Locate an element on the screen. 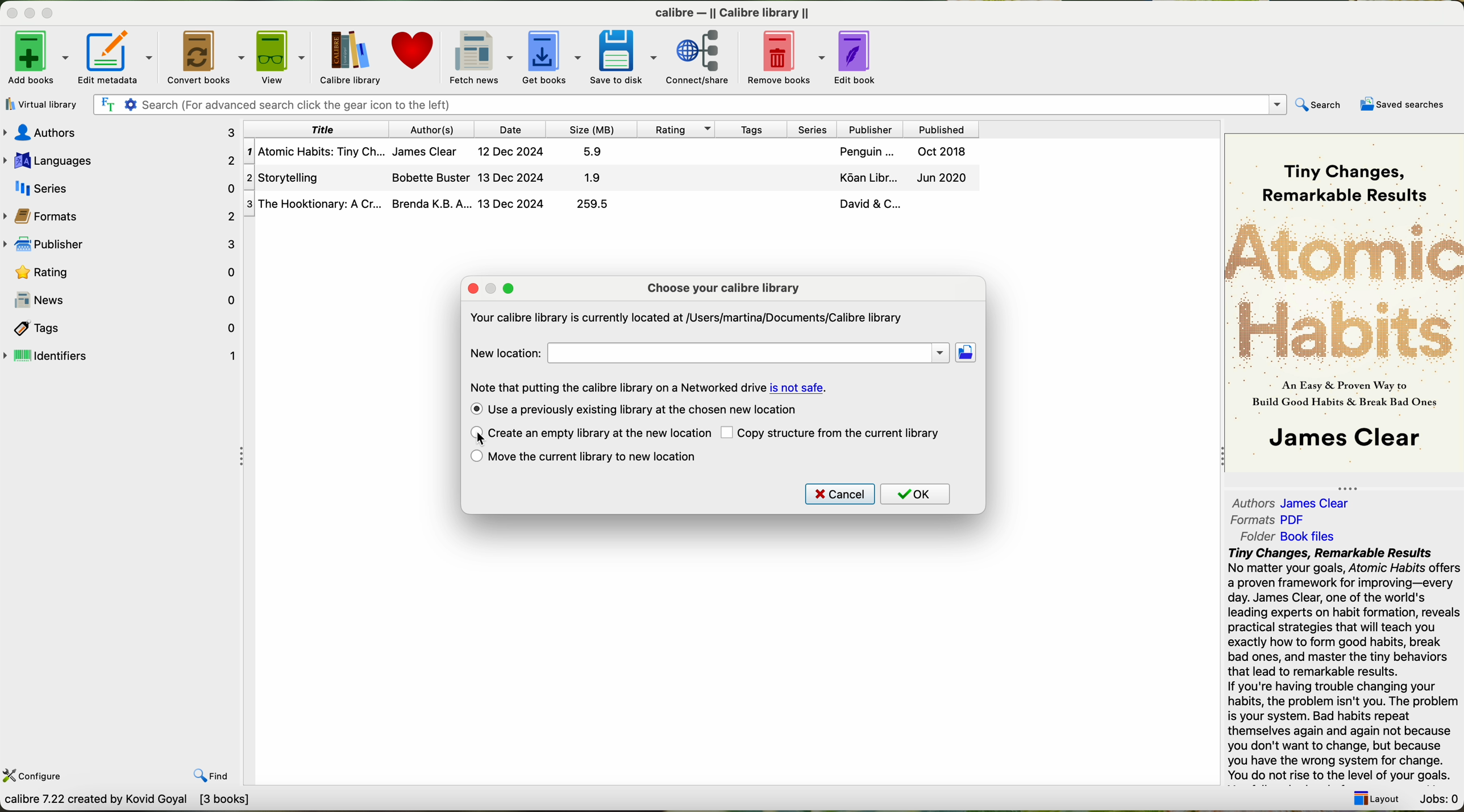  rating is located at coordinates (673, 128).